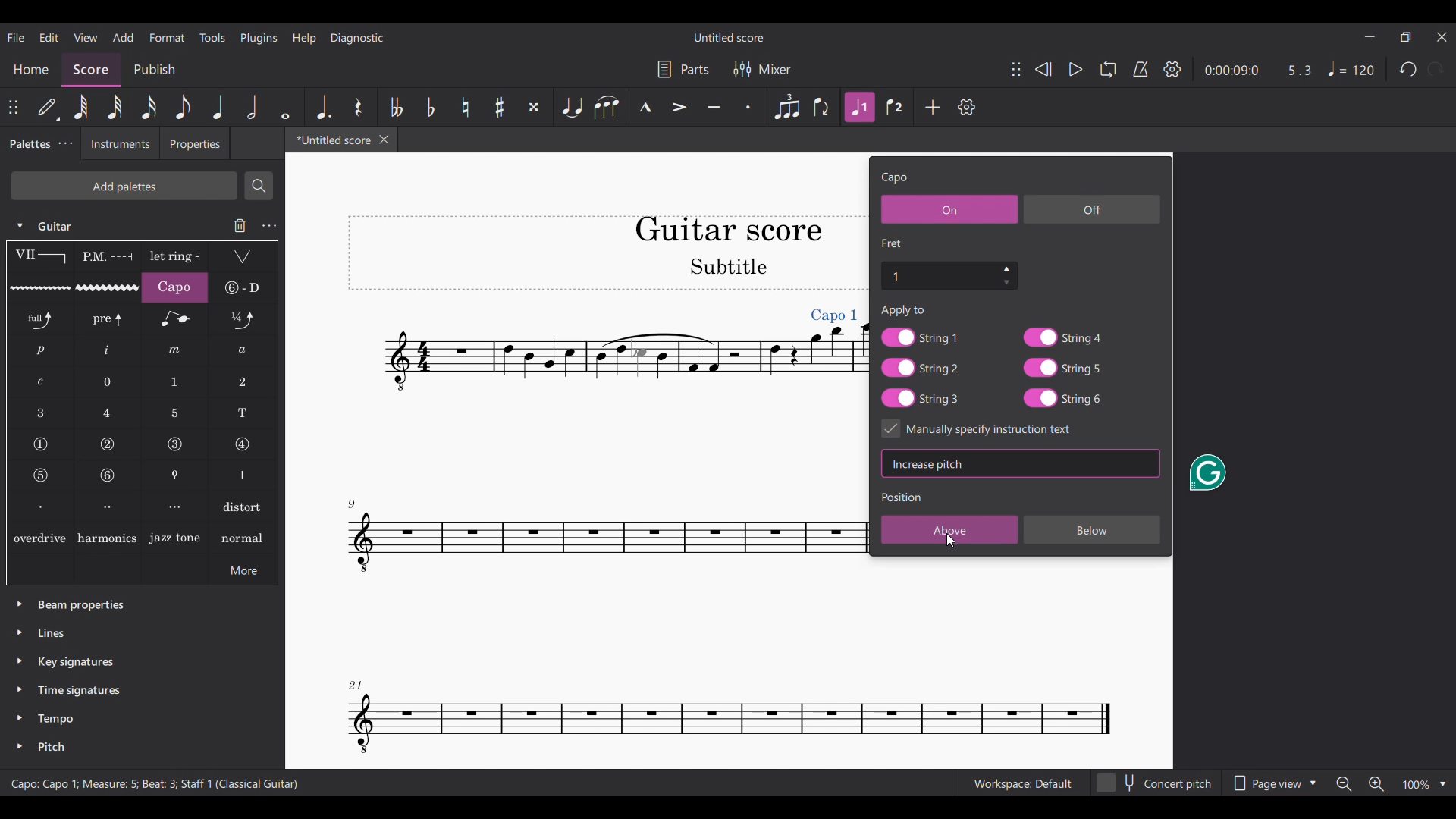 The width and height of the screenshot is (1456, 819). What do you see at coordinates (330, 140) in the screenshot?
I see `Current tab` at bounding box center [330, 140].